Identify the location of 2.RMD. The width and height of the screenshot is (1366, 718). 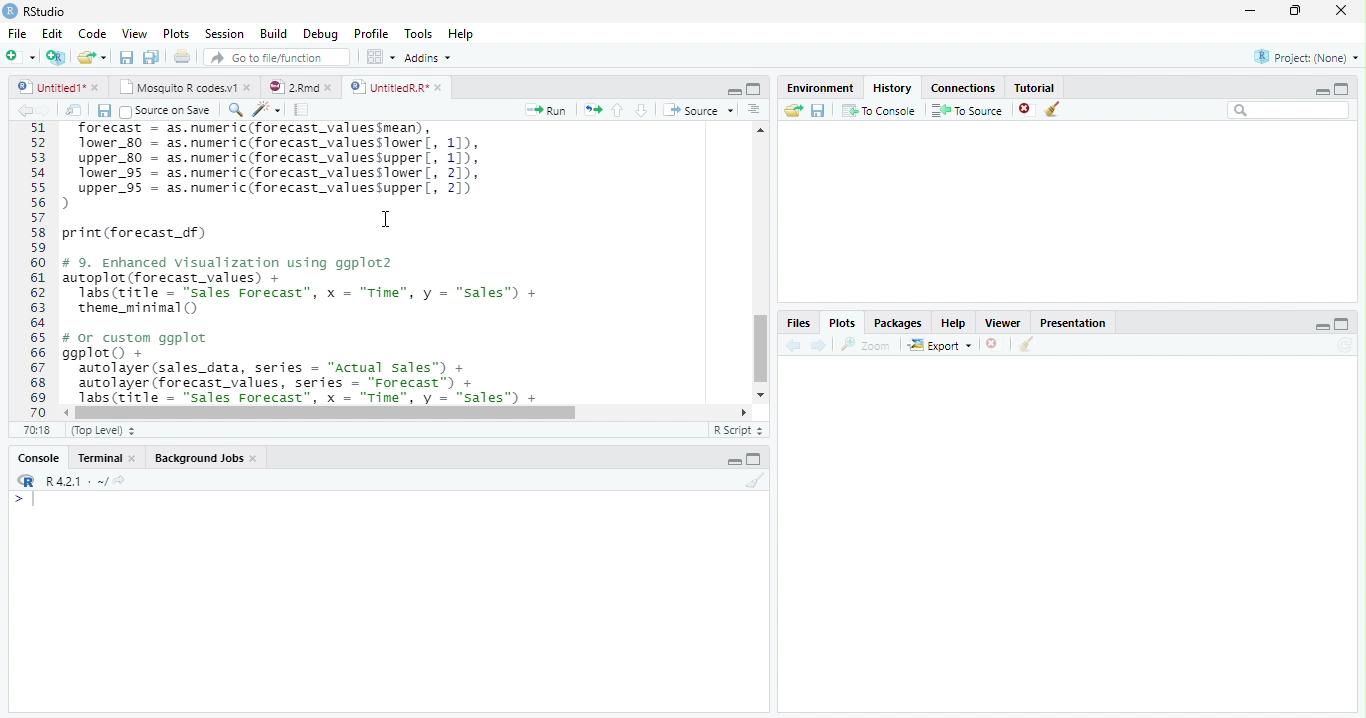
(300, 87).